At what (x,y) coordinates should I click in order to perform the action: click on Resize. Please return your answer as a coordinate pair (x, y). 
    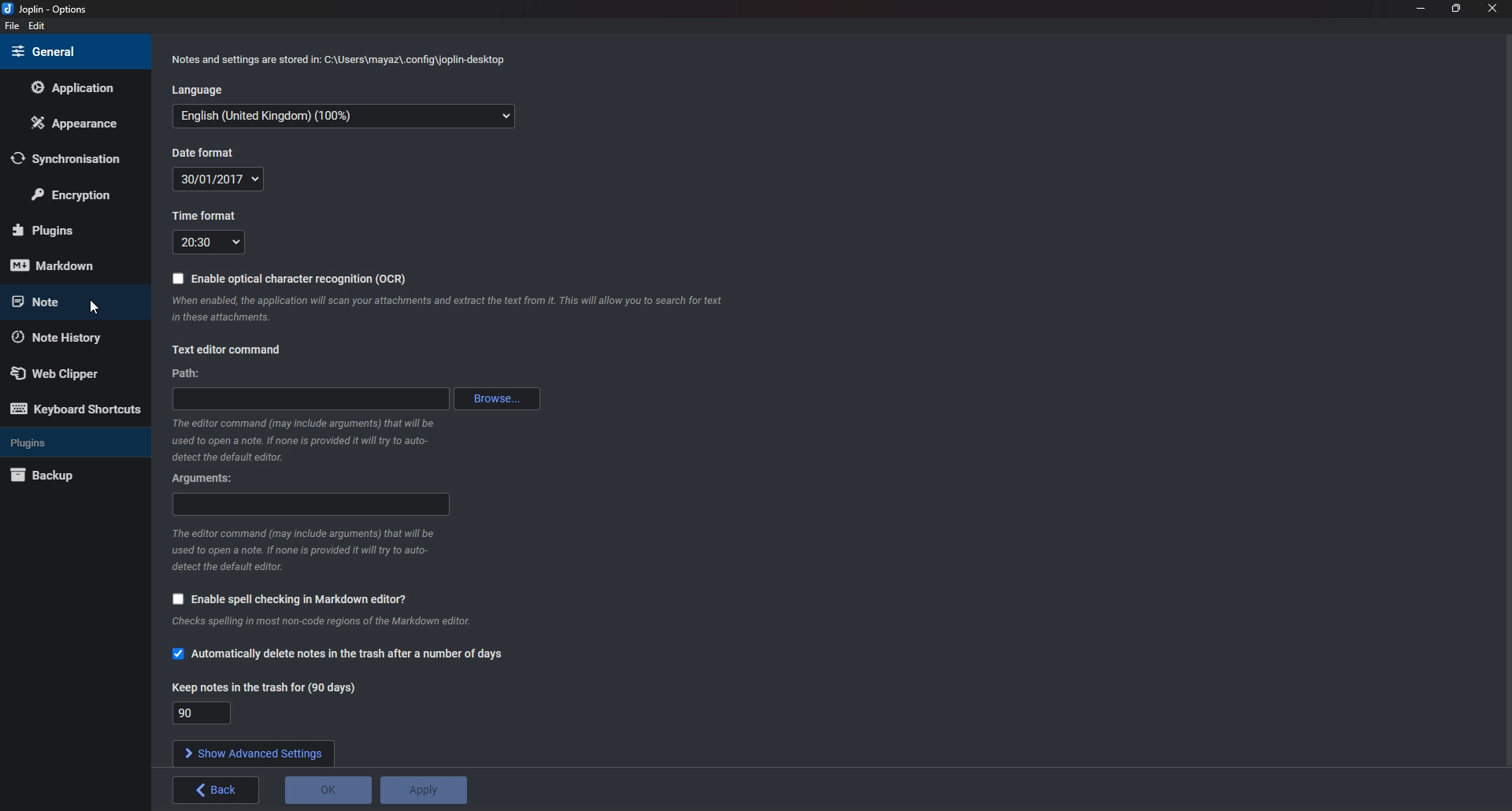
    Looking at the image, I should click on (1455, 9).